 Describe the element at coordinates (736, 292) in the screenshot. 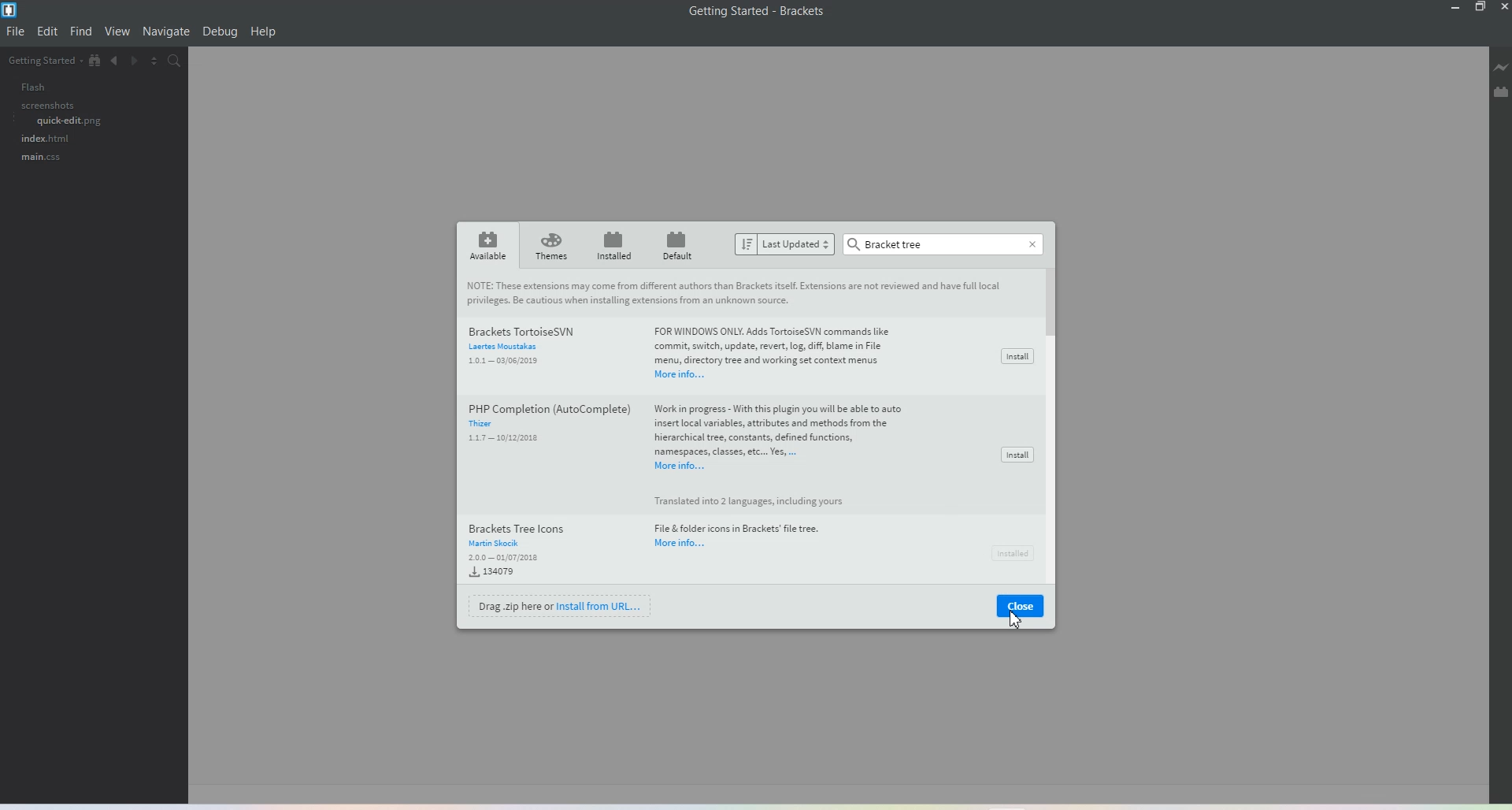

I see `Text` at that location.